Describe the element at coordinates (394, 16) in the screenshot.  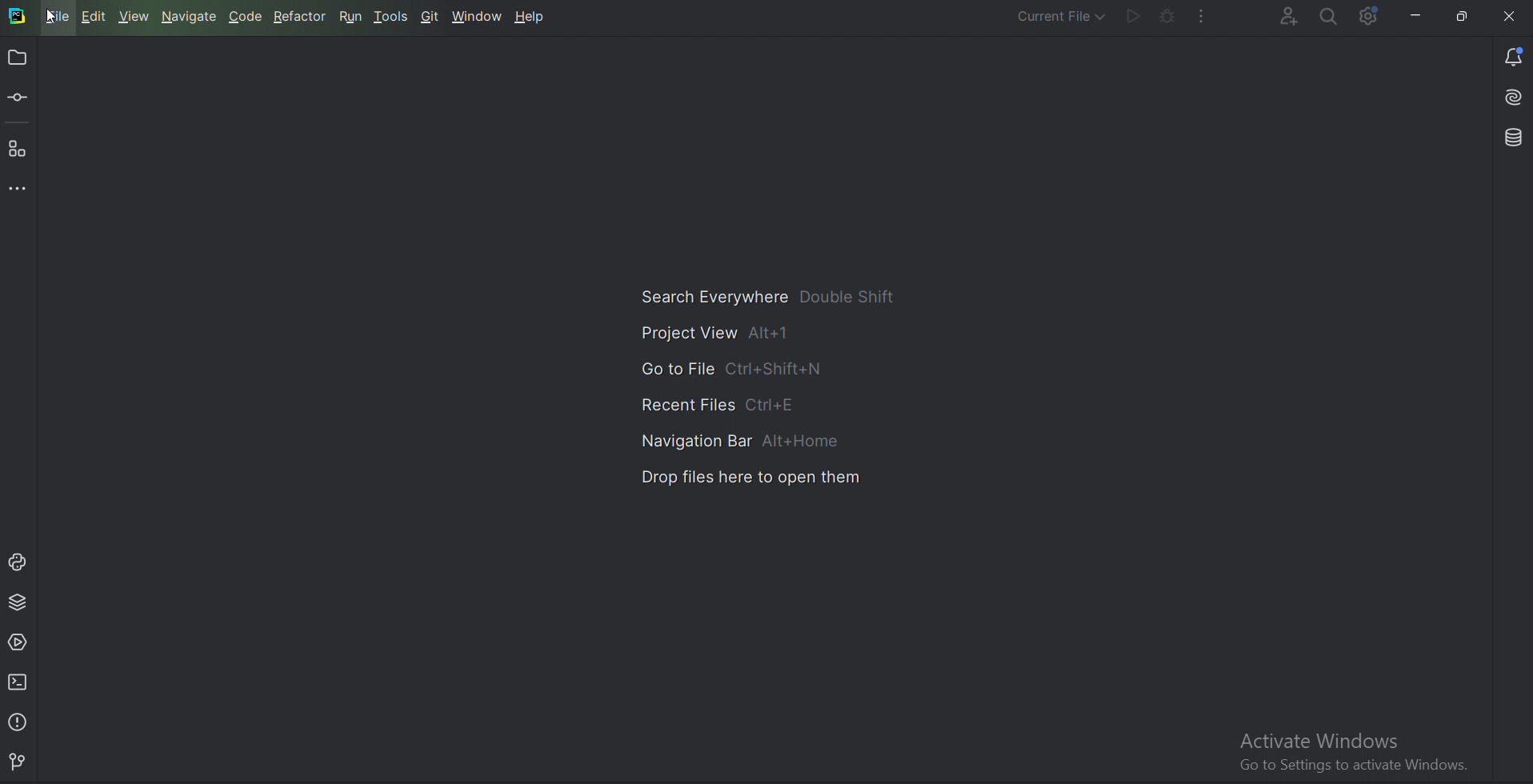
I see `Tools` at that location.